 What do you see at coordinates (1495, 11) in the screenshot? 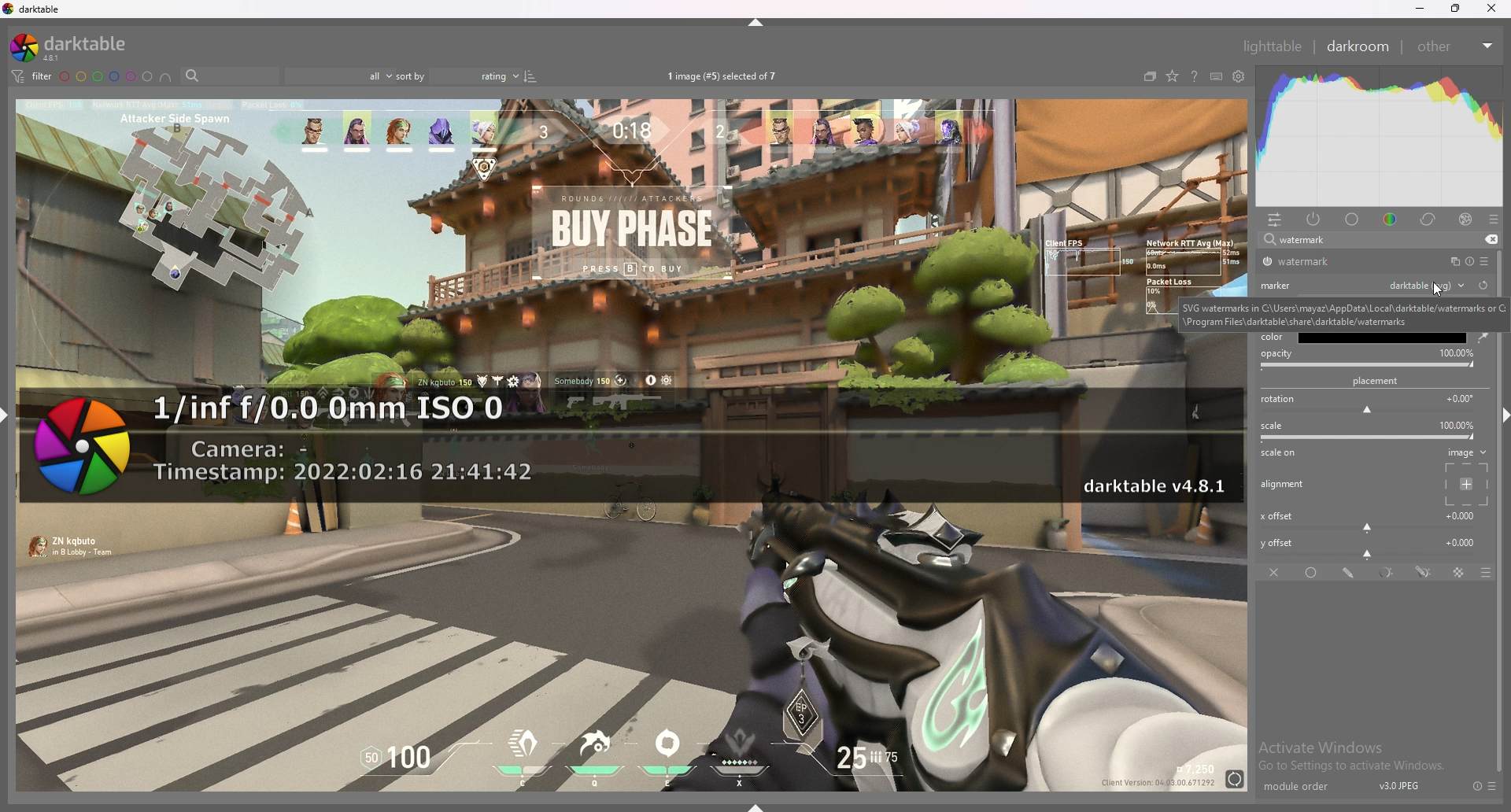
I see `Close` at bounding box center [1495, 11].